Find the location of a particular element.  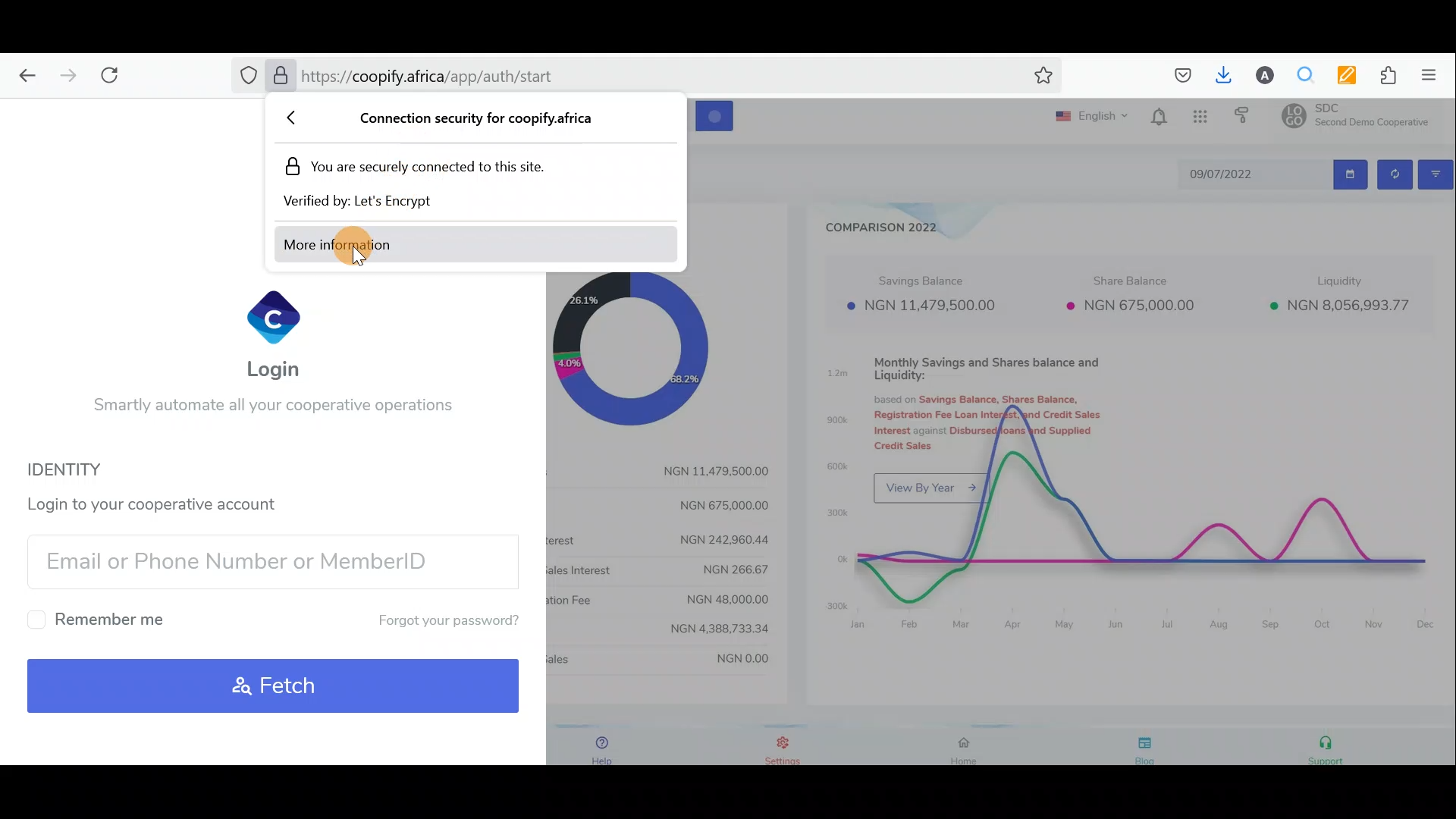

Connection security is located at coordinates (475, 119).